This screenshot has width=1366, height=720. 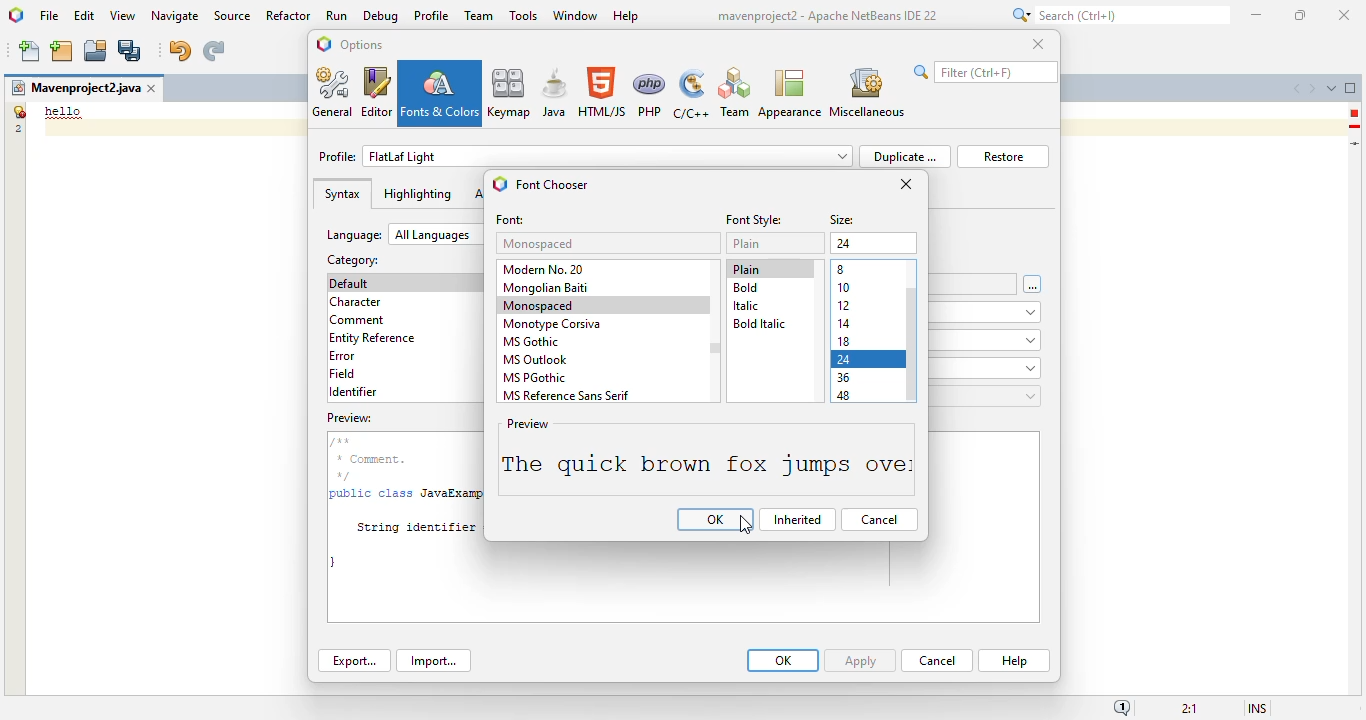 What do you see at coordinates (377, 92) in the screenshot?
I see `editor` at bounding box center [377, 92].